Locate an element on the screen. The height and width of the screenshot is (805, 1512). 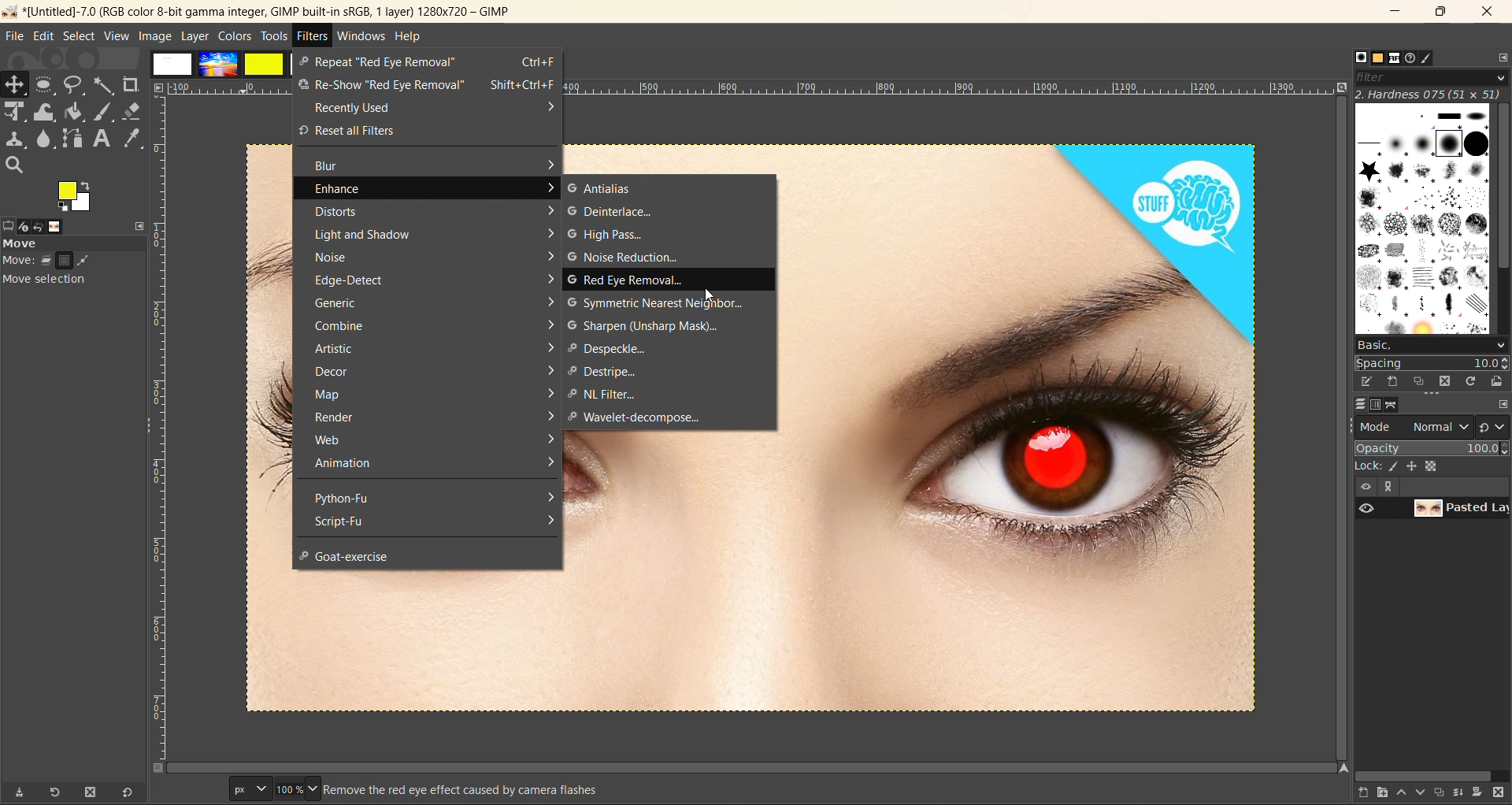
high pass is located at coordinates (608, 236).